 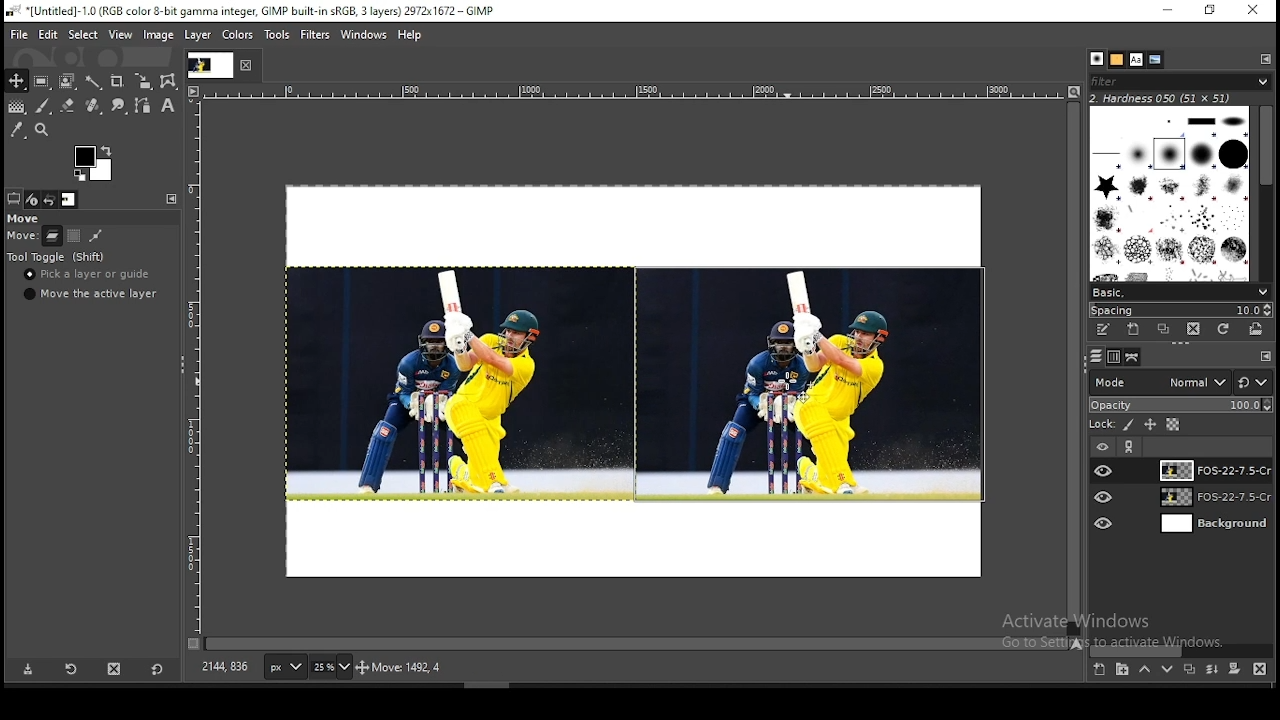 I want to click on icon and file name, so click(x=248, y=12).